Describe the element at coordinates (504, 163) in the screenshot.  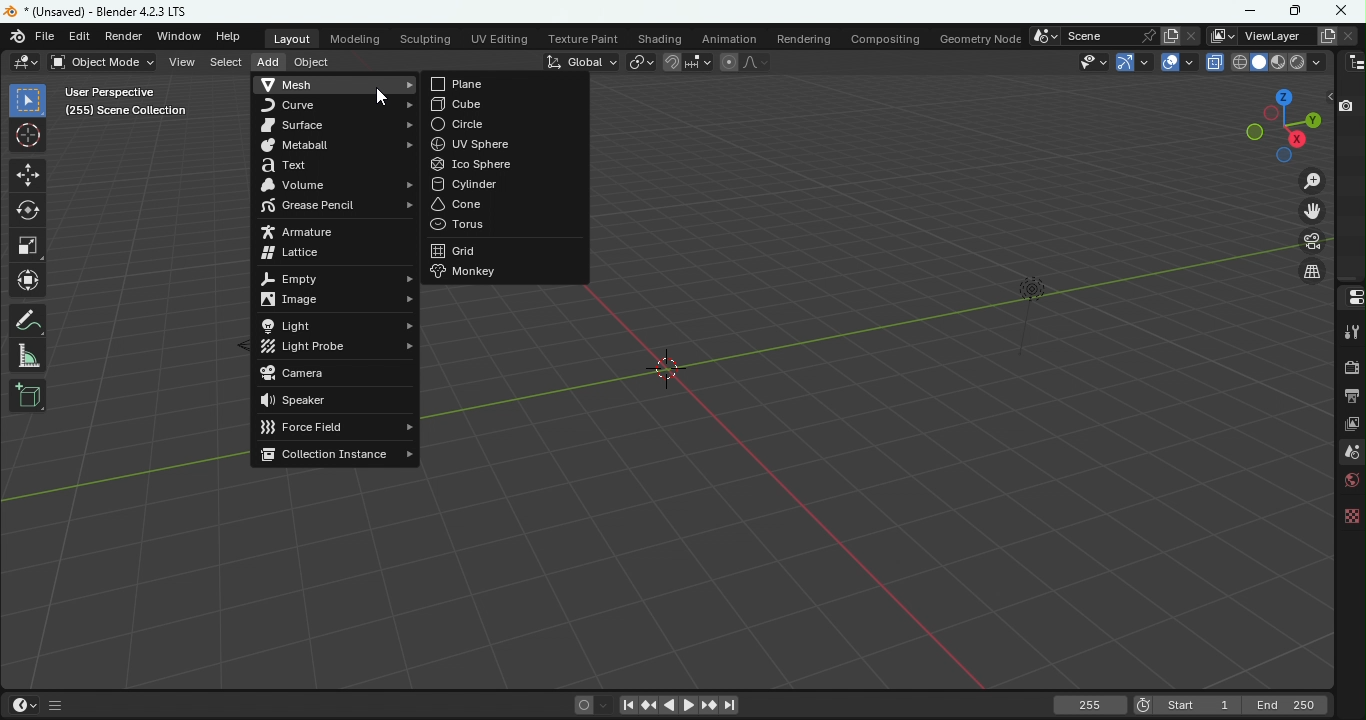
I see `Ico sphere` at that location.